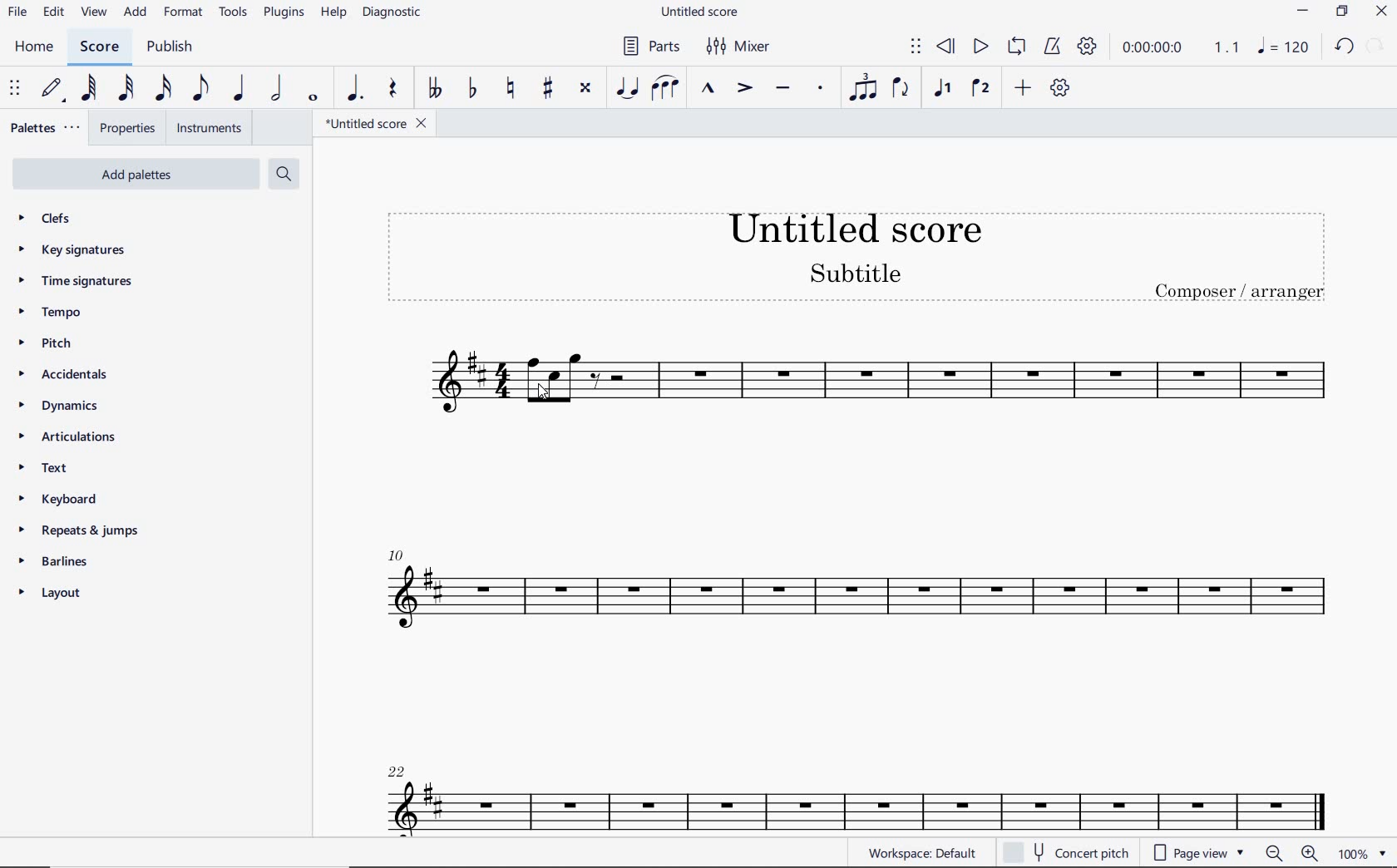  What do you see at coordinates (74, 375) in the screenshot?
I see `ACCIDENTALS` at bounding box center [74, 375].